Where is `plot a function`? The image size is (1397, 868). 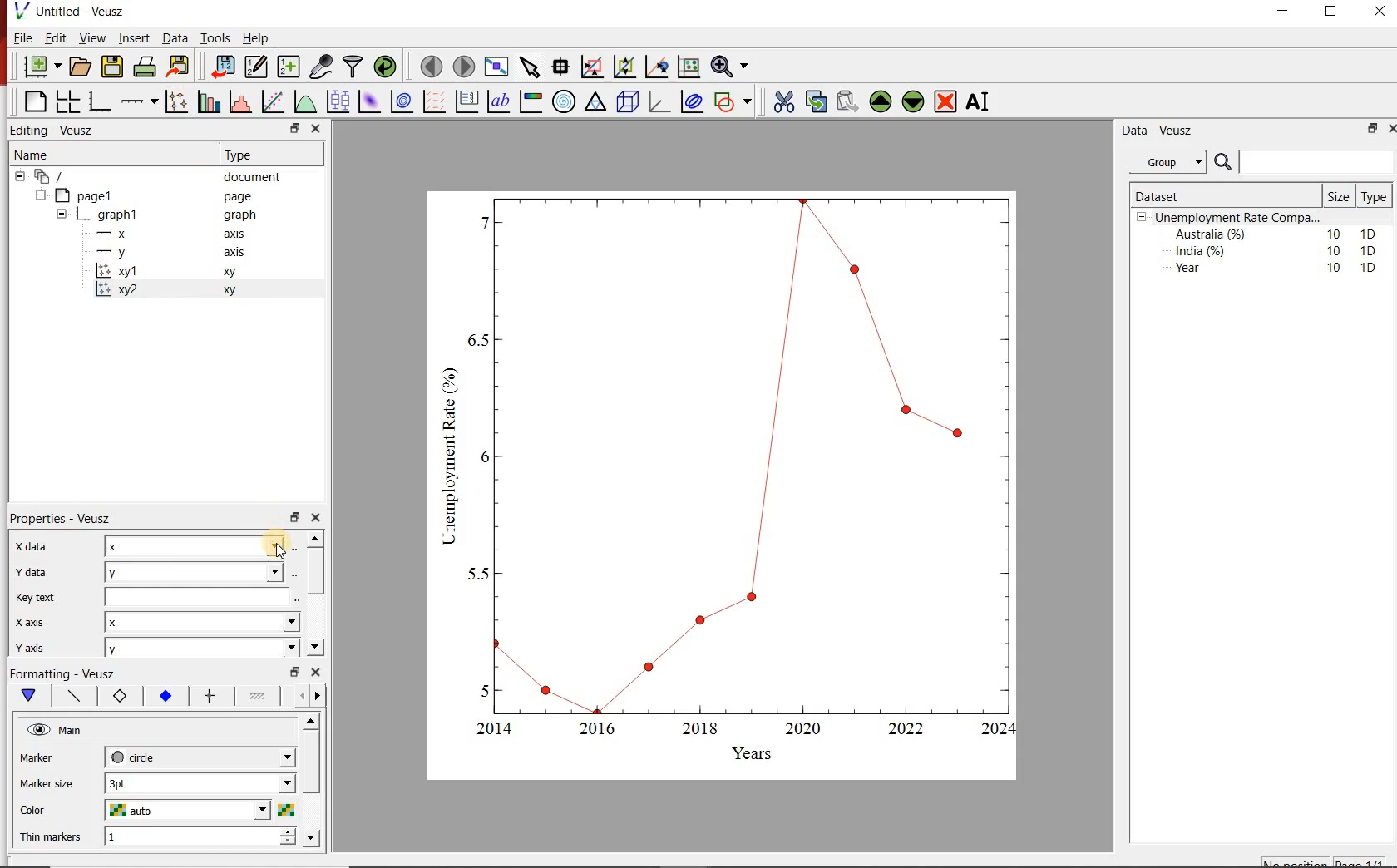
plot a function is located at coordinates (305, 101).